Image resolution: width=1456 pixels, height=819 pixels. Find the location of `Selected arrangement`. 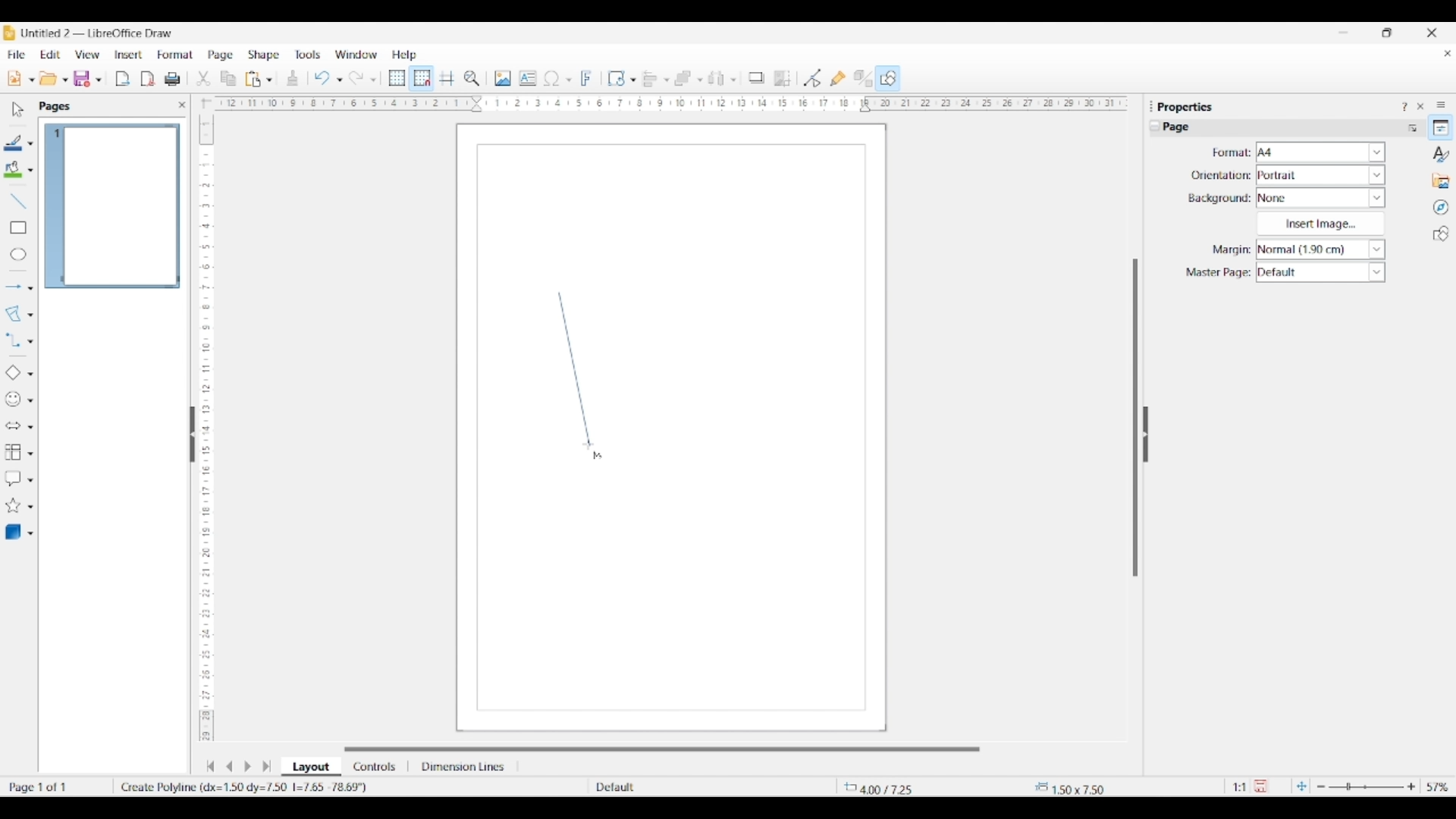

Selected arrangement is located at coordinates (683, 79).